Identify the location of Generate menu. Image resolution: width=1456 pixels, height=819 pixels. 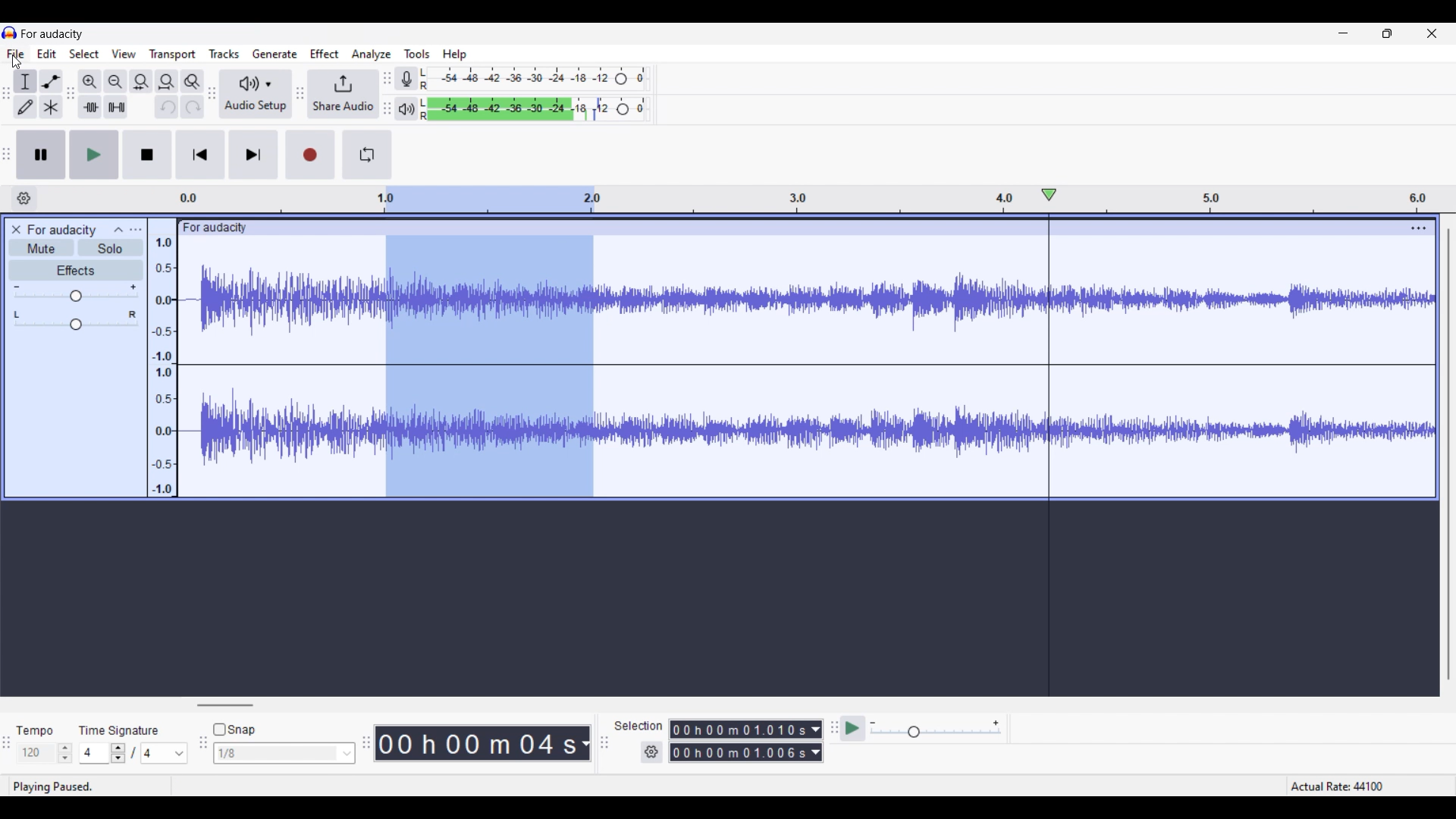
(275, 54).